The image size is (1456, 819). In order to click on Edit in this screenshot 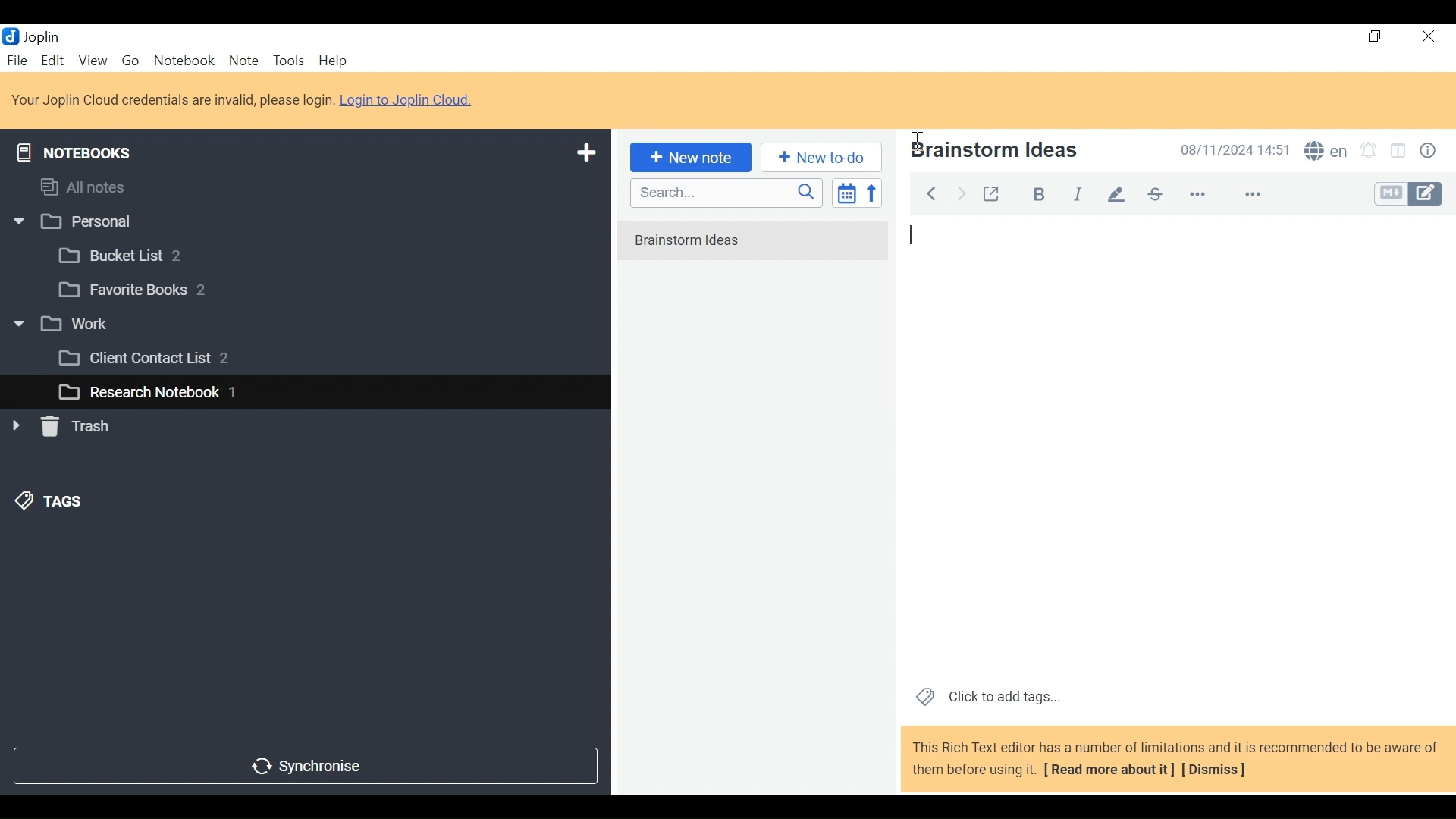, I will do `click(54, 60)`.